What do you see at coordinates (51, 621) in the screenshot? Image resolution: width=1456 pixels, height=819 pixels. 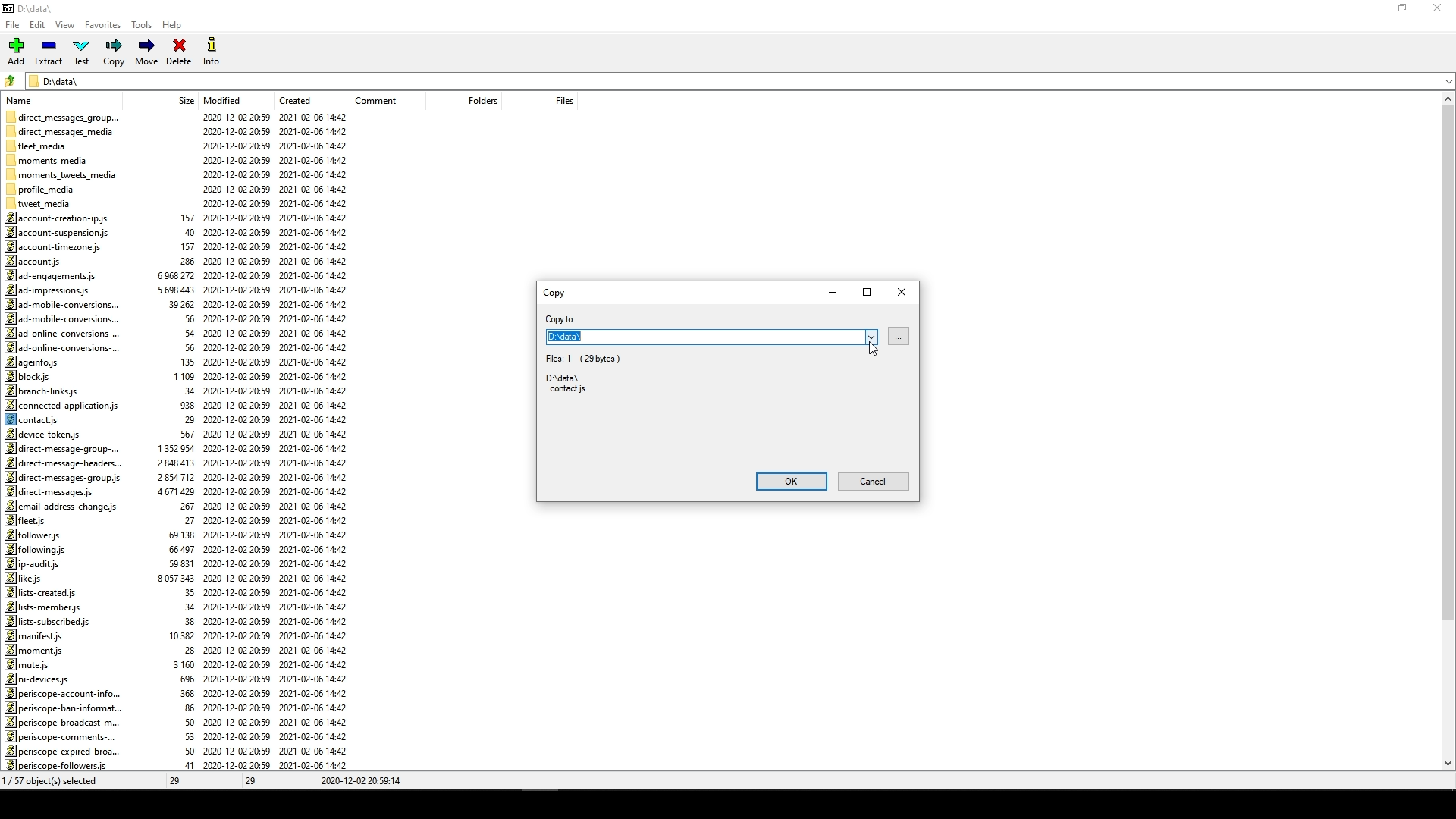 I see `lists-subscribed.js` at bounding box center [51, 621].